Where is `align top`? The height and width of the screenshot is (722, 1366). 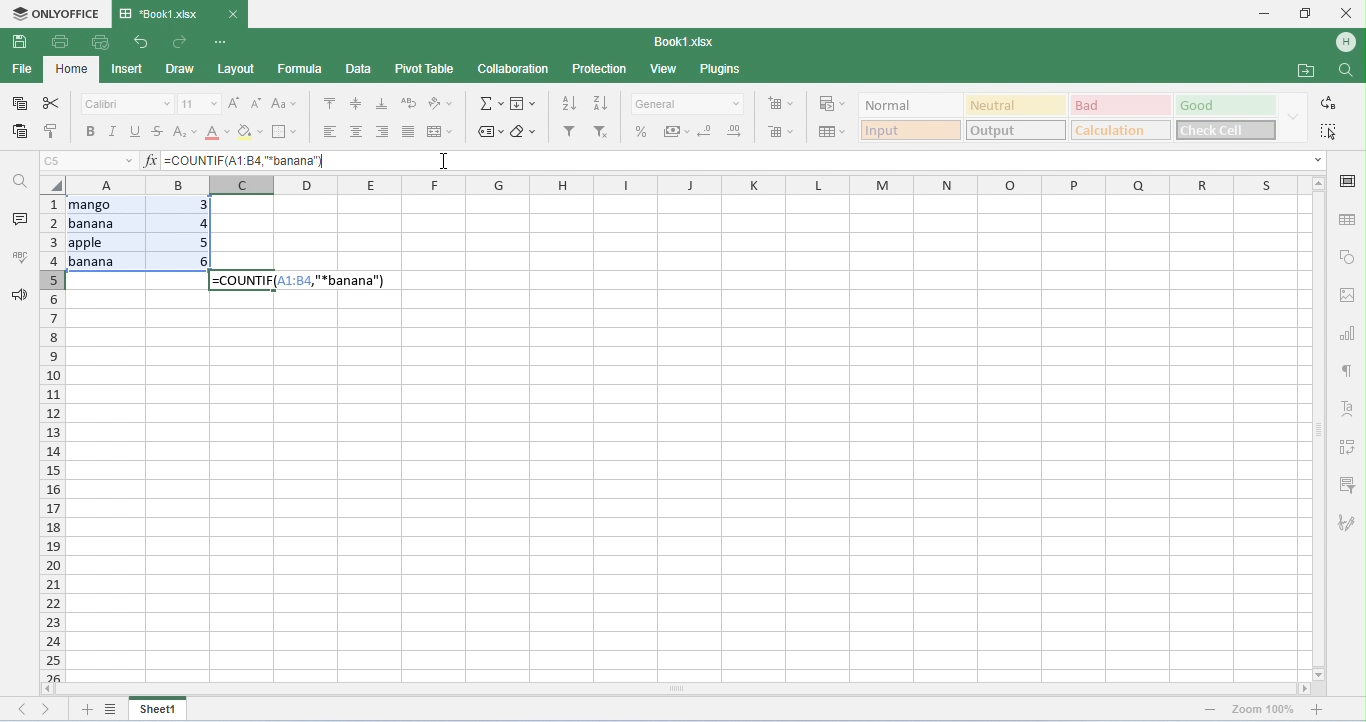
align top is located at coordinates (327, 102).